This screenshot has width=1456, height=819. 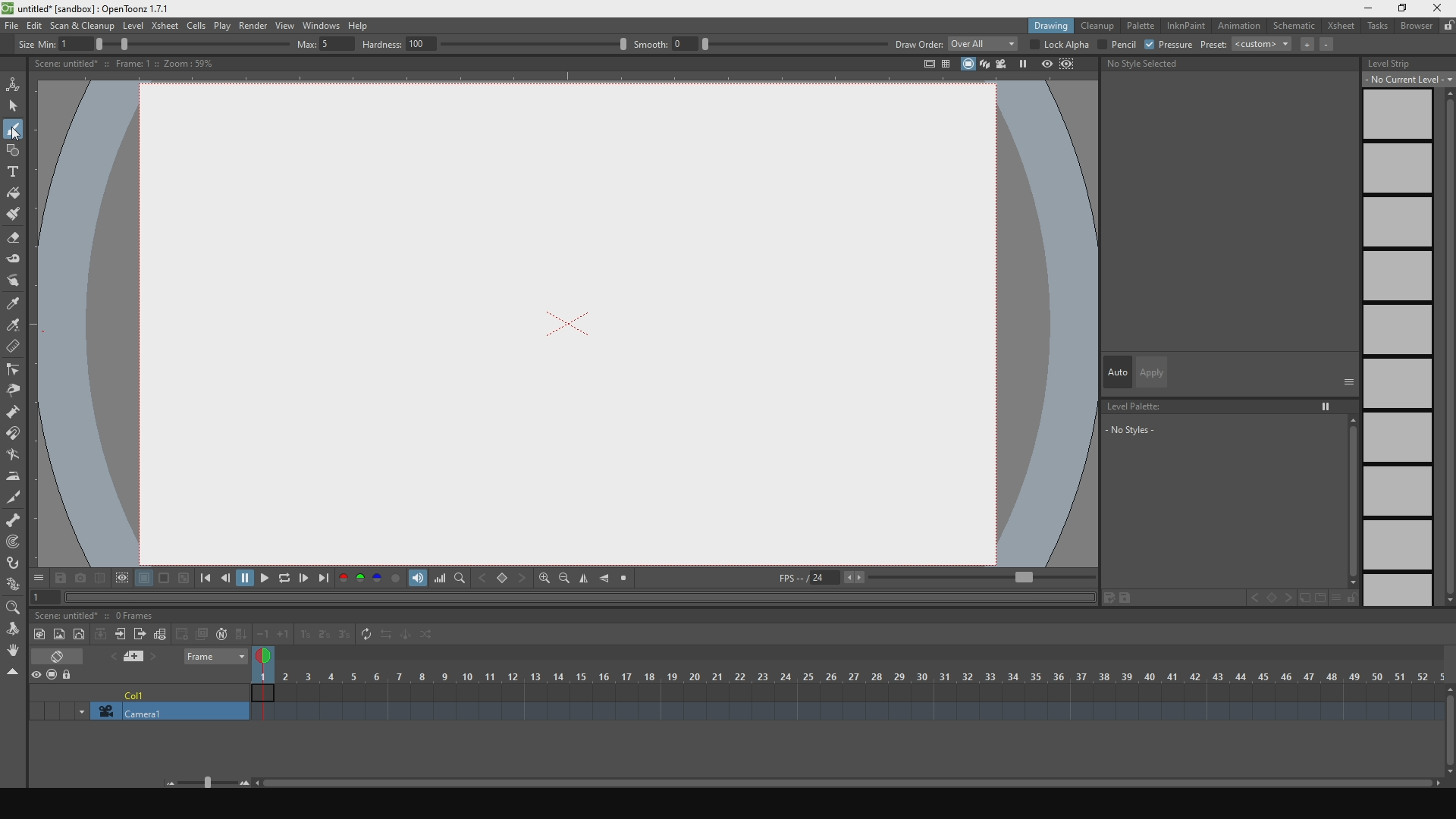 What do you see at coordinates (67, 657) in the screenshot?
I see `erase` at bounding box center [67, 657].